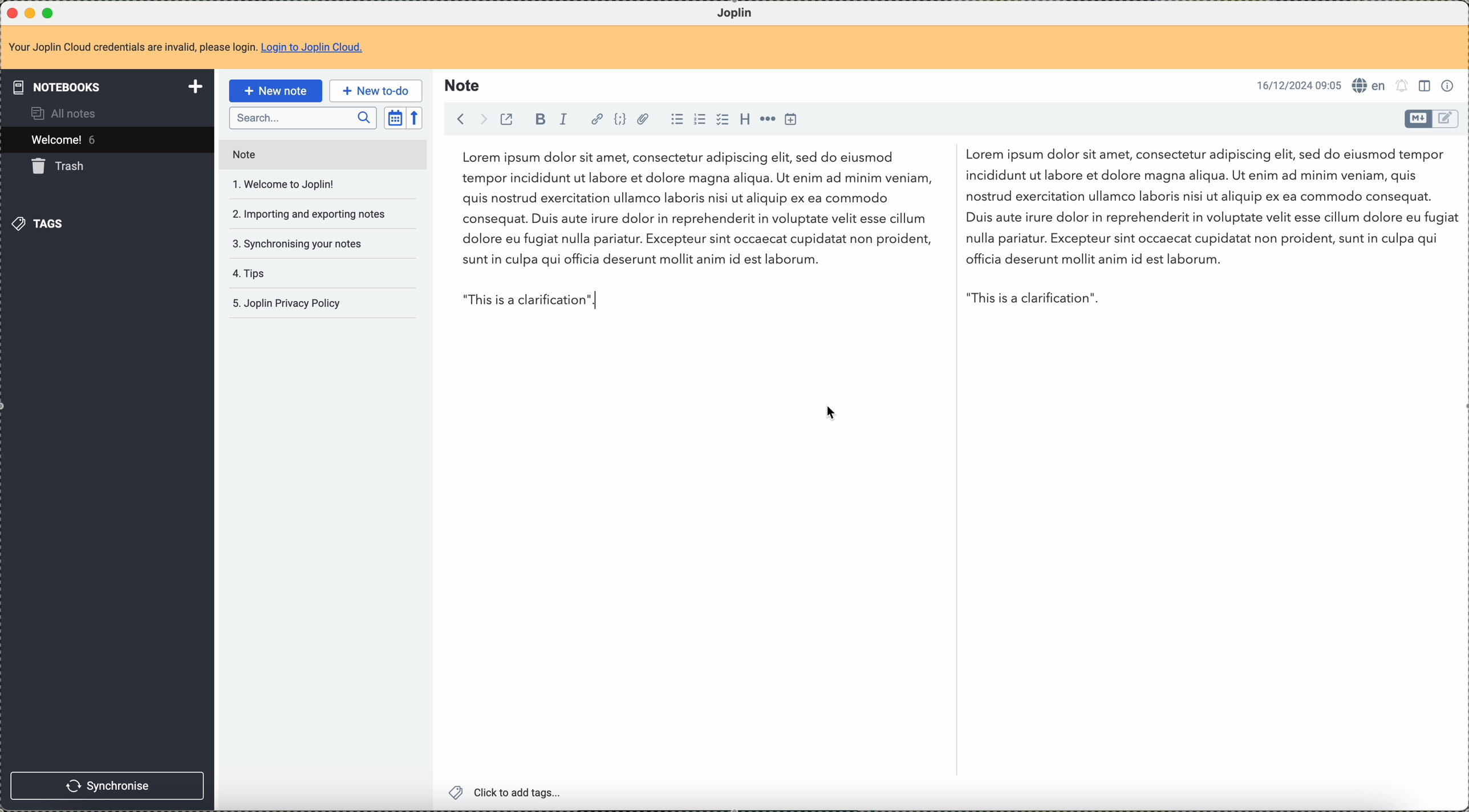 This screenshot has height=812, width=1469. I want to click on set notifications, so click(1404, 86).